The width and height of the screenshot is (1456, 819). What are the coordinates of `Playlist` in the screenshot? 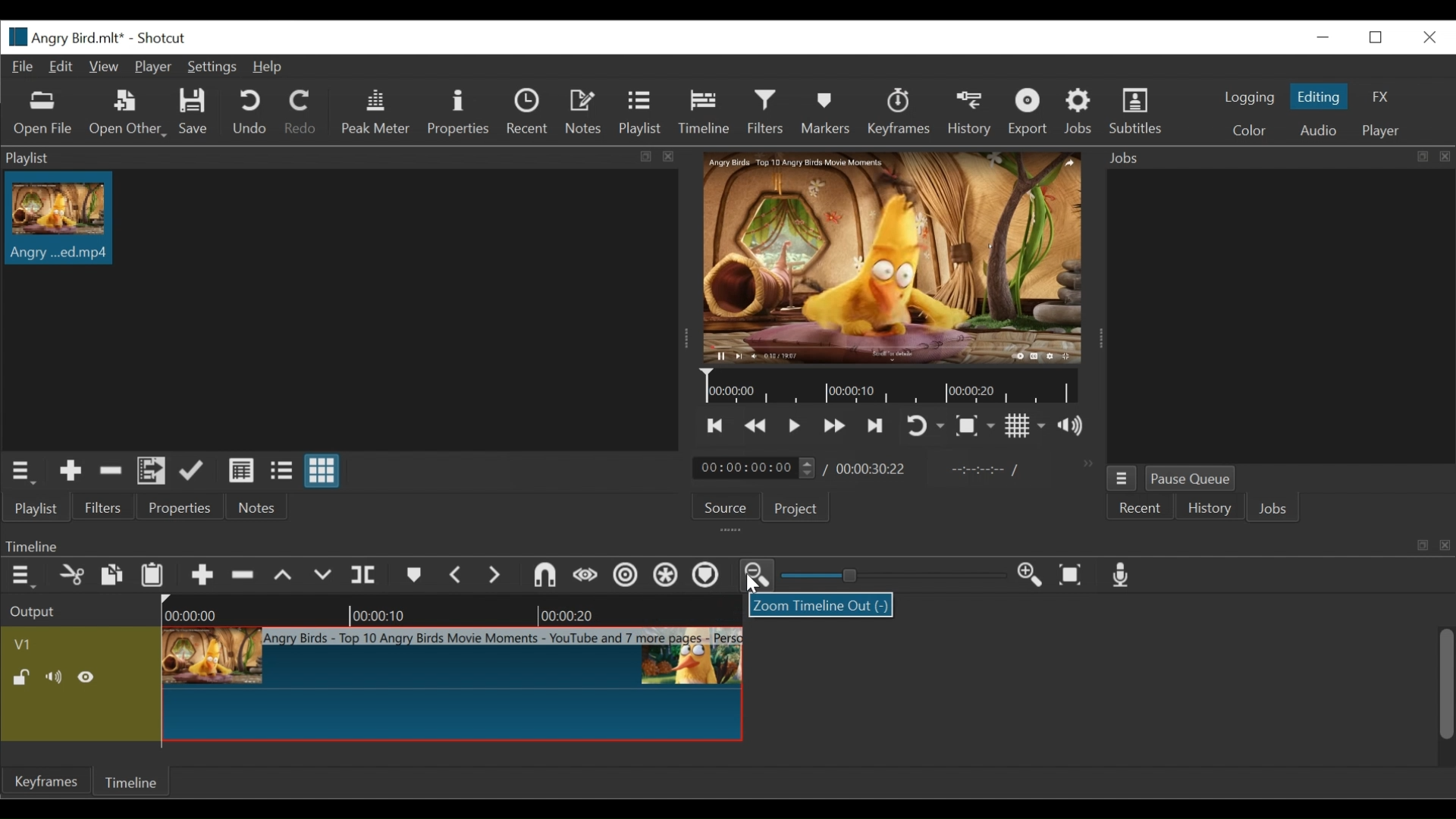 It's located at (640, 111).